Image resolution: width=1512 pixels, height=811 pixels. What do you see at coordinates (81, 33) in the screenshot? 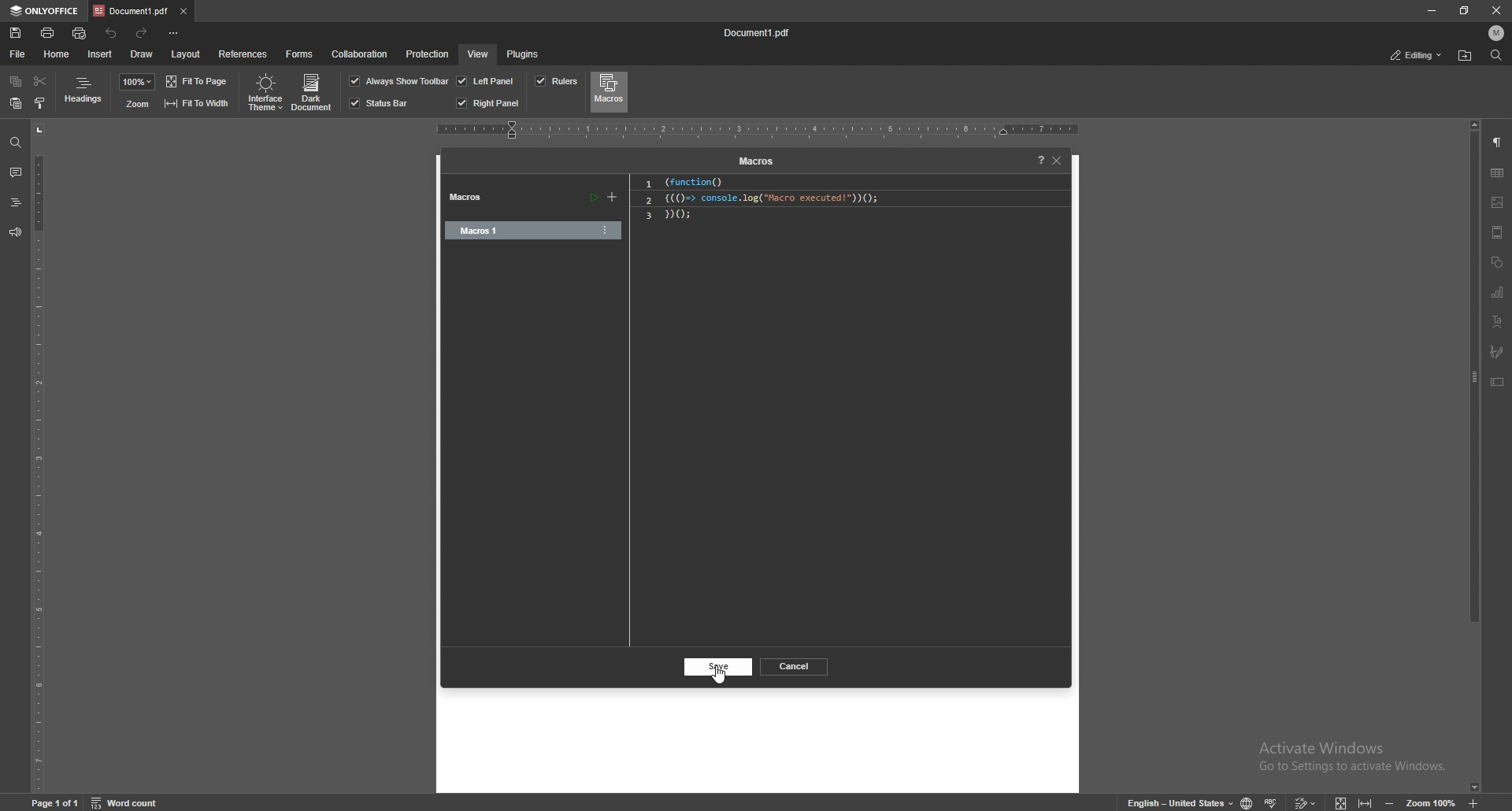
I see `quick print` at bounding box center [81, 33].